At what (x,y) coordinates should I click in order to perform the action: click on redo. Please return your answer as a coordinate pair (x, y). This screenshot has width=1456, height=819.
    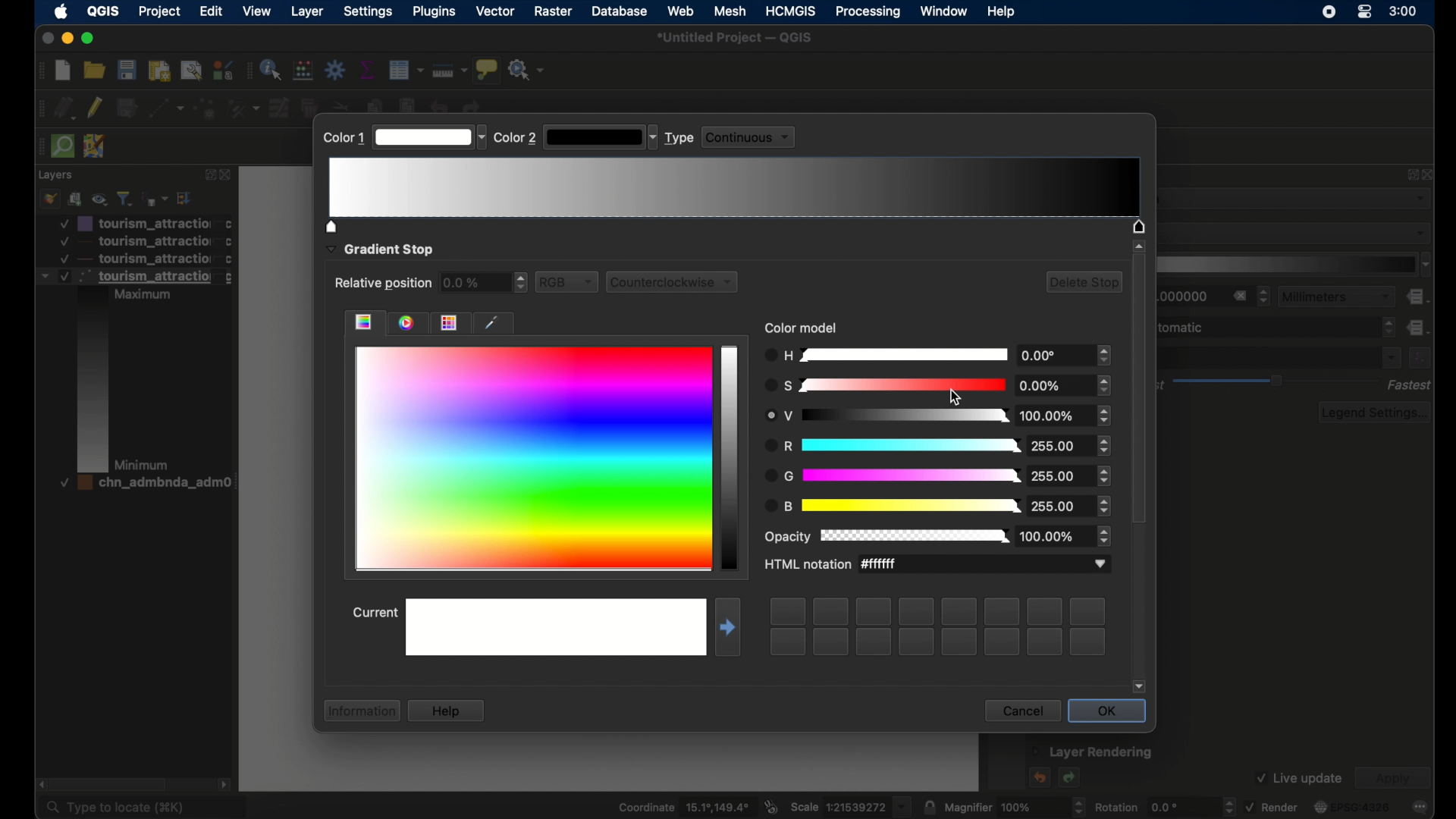
    Looking at the image, I should click on (1070, 779).